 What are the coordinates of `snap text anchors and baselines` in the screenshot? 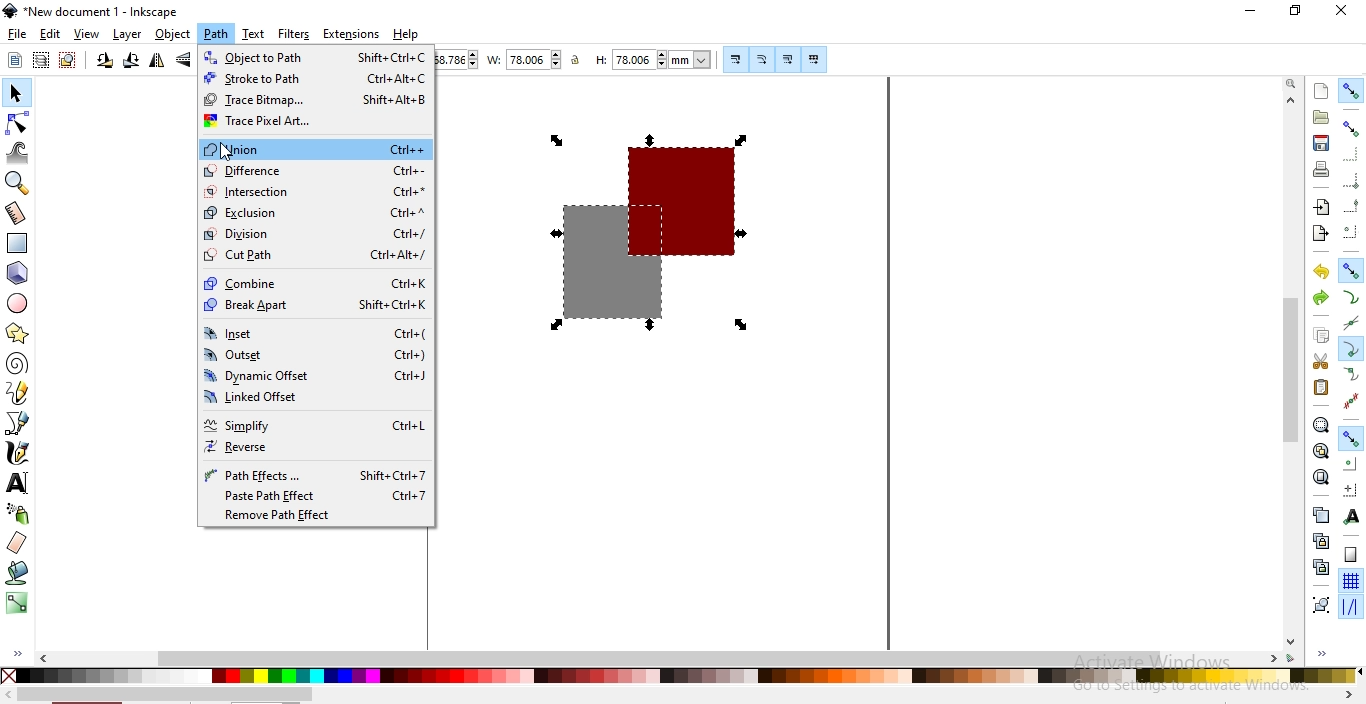 It's located at (1350, 518).